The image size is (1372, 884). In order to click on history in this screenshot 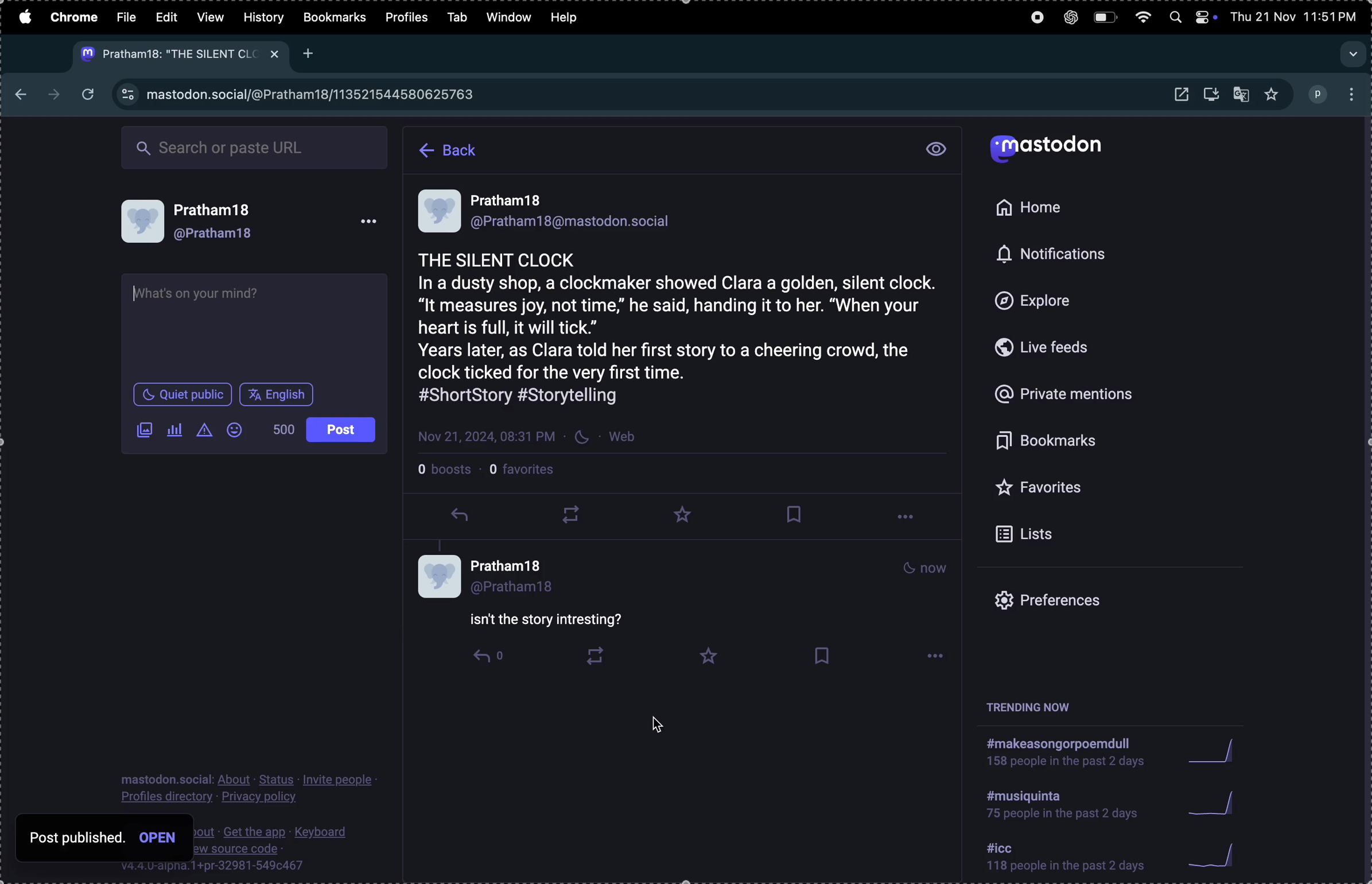, I will do `click(263, 17)`.